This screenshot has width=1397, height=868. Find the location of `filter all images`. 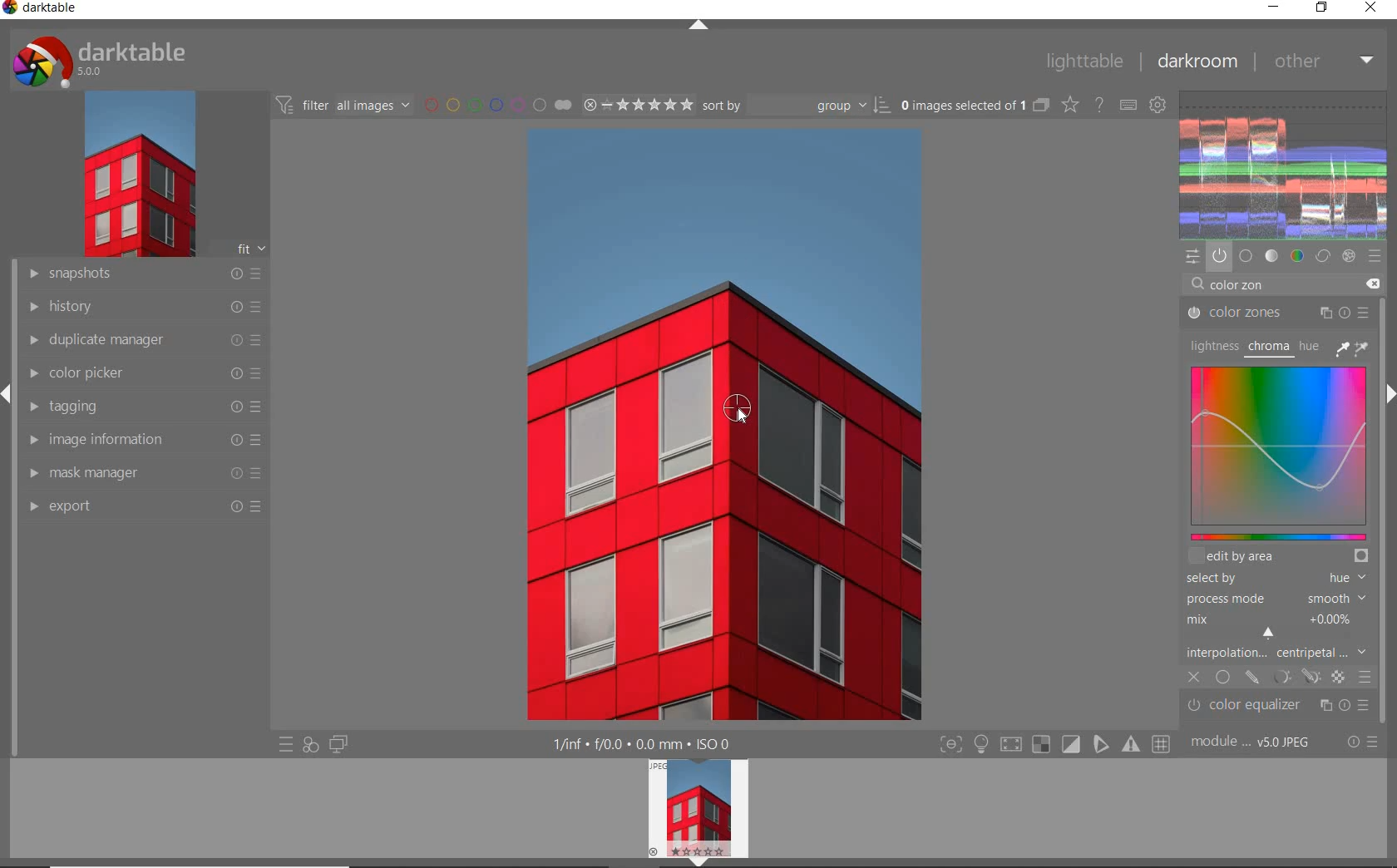

filter all images is located at coordinates (344, 105).